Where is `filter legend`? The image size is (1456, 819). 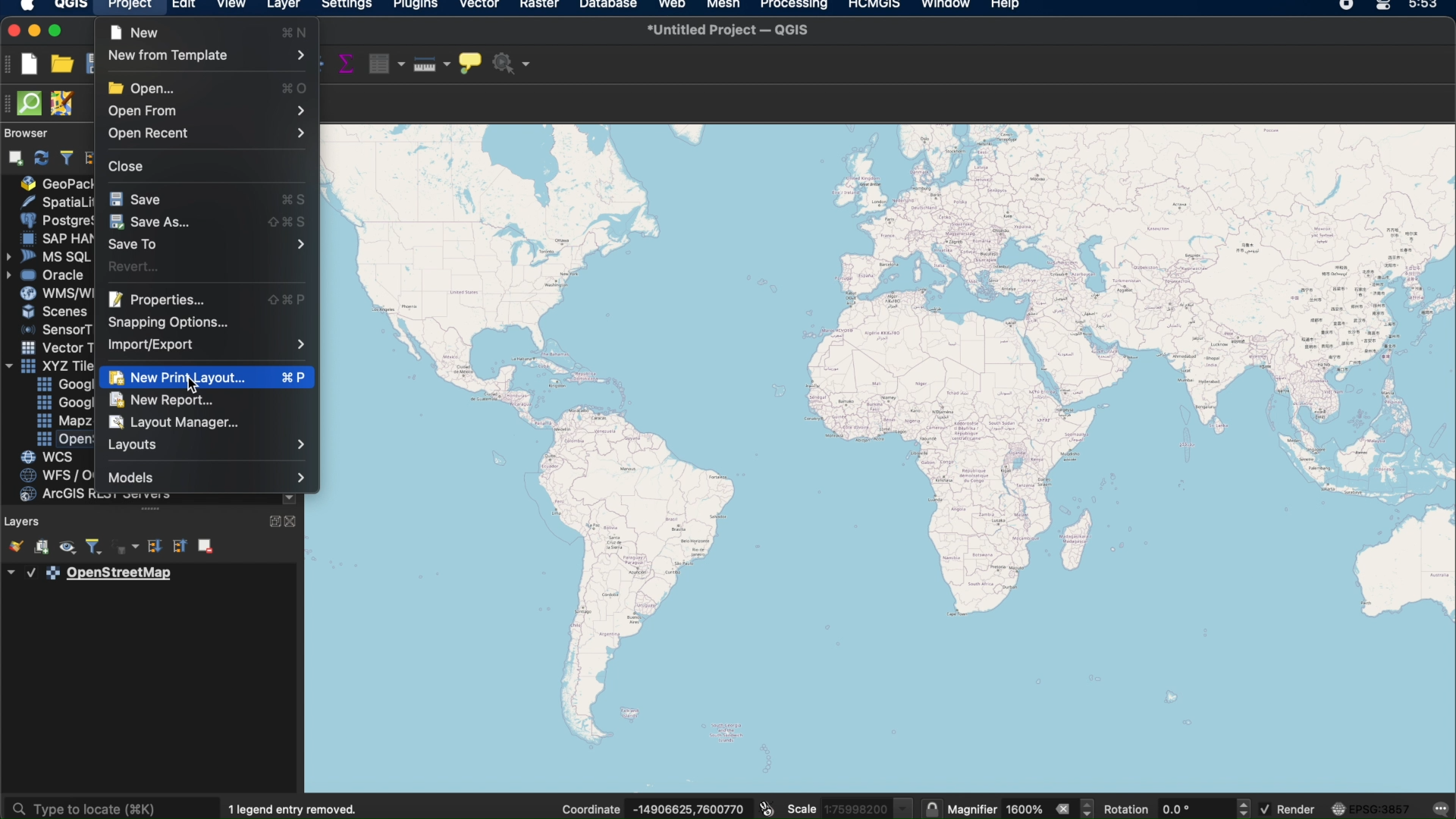
filter legend is located at coordinates (93, 548).